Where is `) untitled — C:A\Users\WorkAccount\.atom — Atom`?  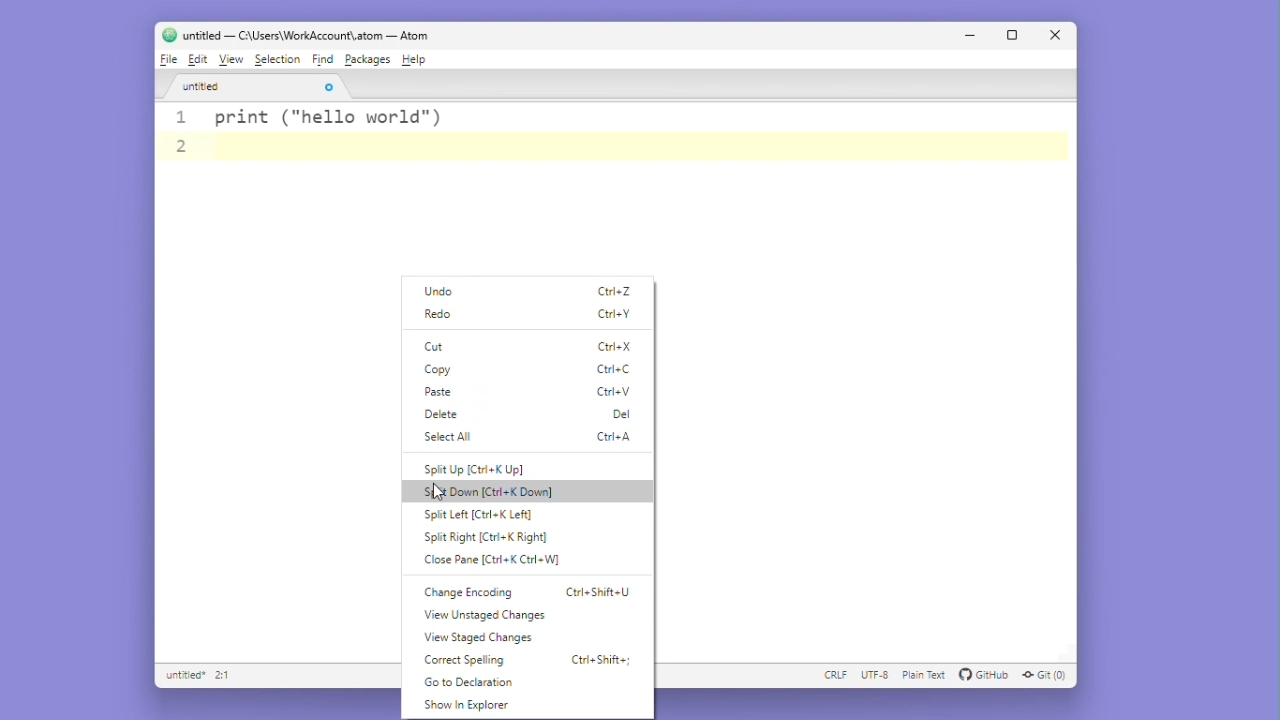
) untitled — C:A\Users\WorkAccount\.atom — Atom is located at coordinates (309, 35).